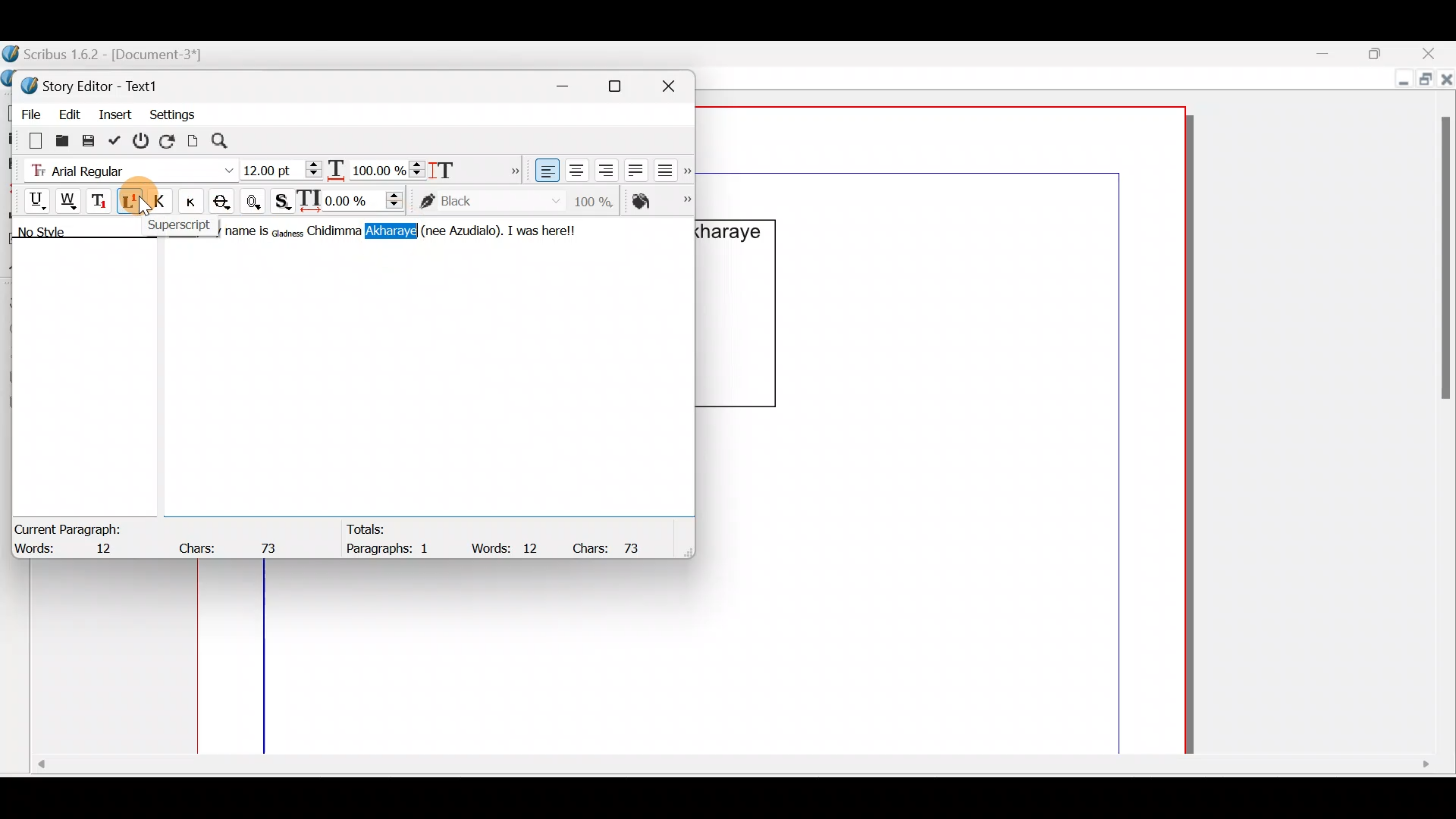 The image size is (1456, 819). What do you see at coordinates (193, 139) in the screenshot?
I see `Update text frame` at bounding box center [193, 139].